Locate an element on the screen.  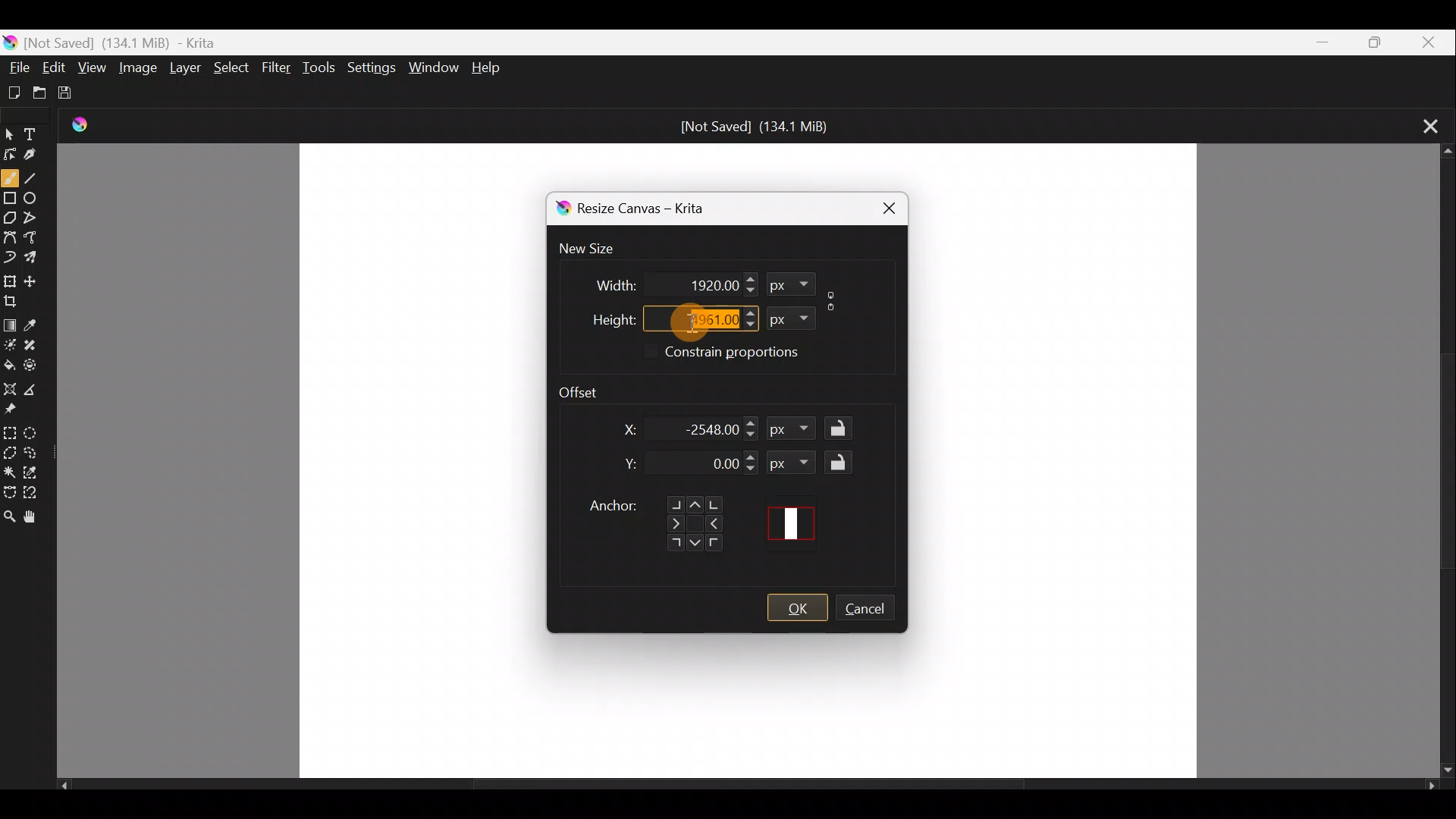
Similar colour selection tool is located at coordinates (37, 474).